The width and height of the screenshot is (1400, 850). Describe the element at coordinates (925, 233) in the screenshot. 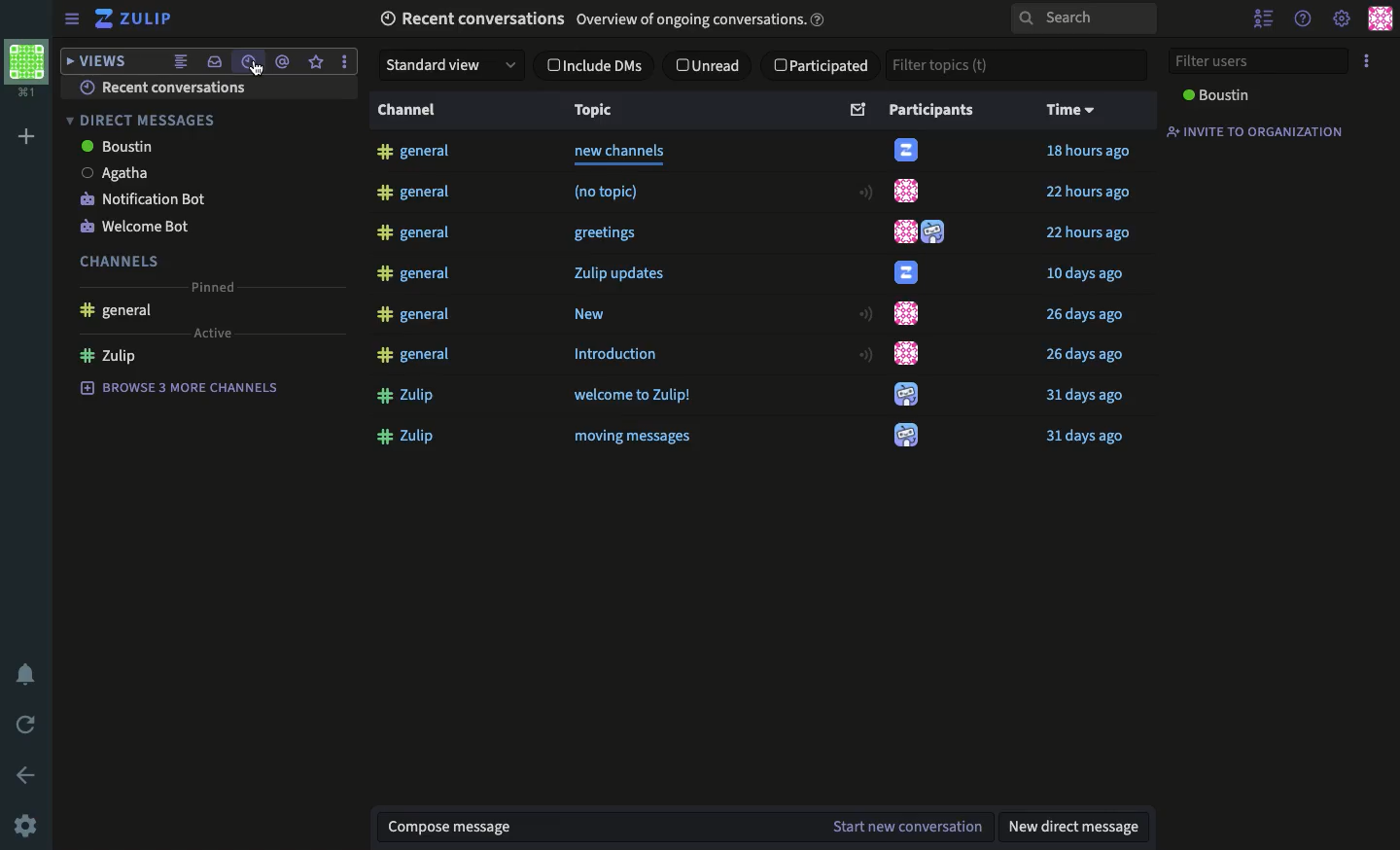

I see `user profiles` at that location.